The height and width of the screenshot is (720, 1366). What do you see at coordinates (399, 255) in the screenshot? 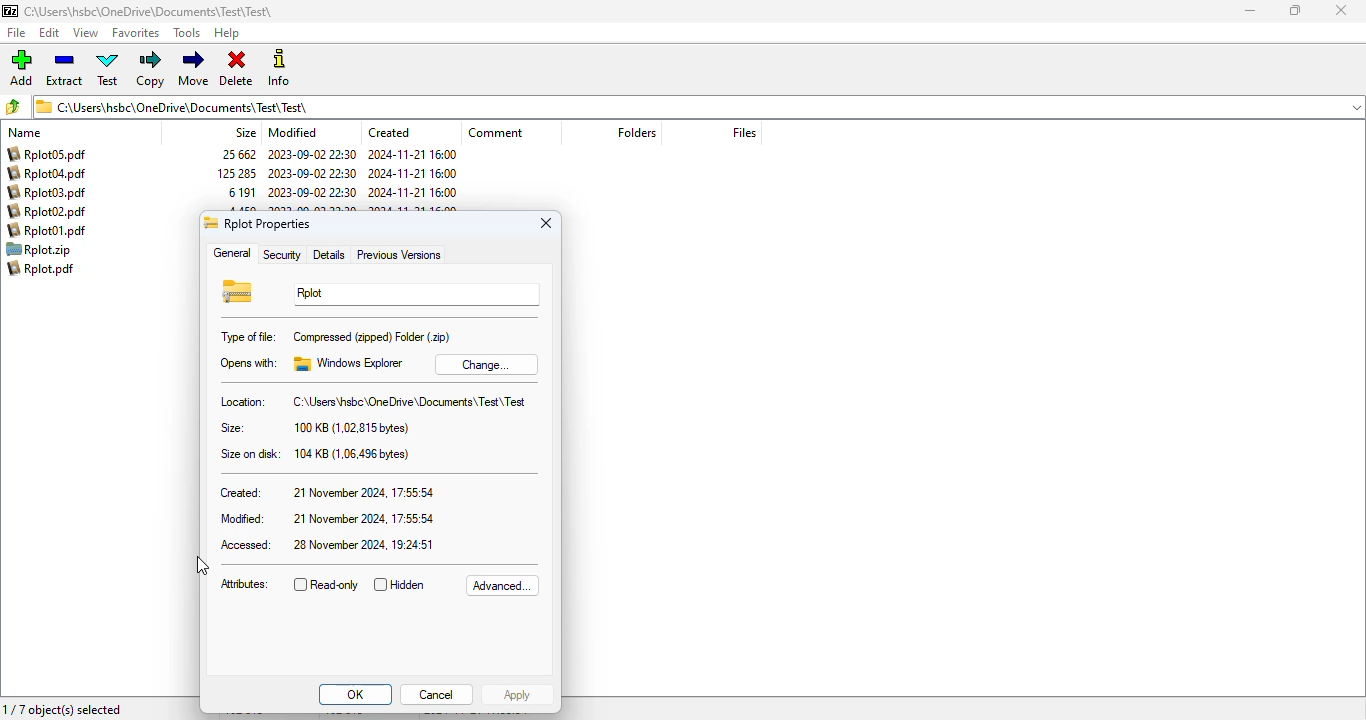
I see `previous versions` at bounding box center [399, 255].